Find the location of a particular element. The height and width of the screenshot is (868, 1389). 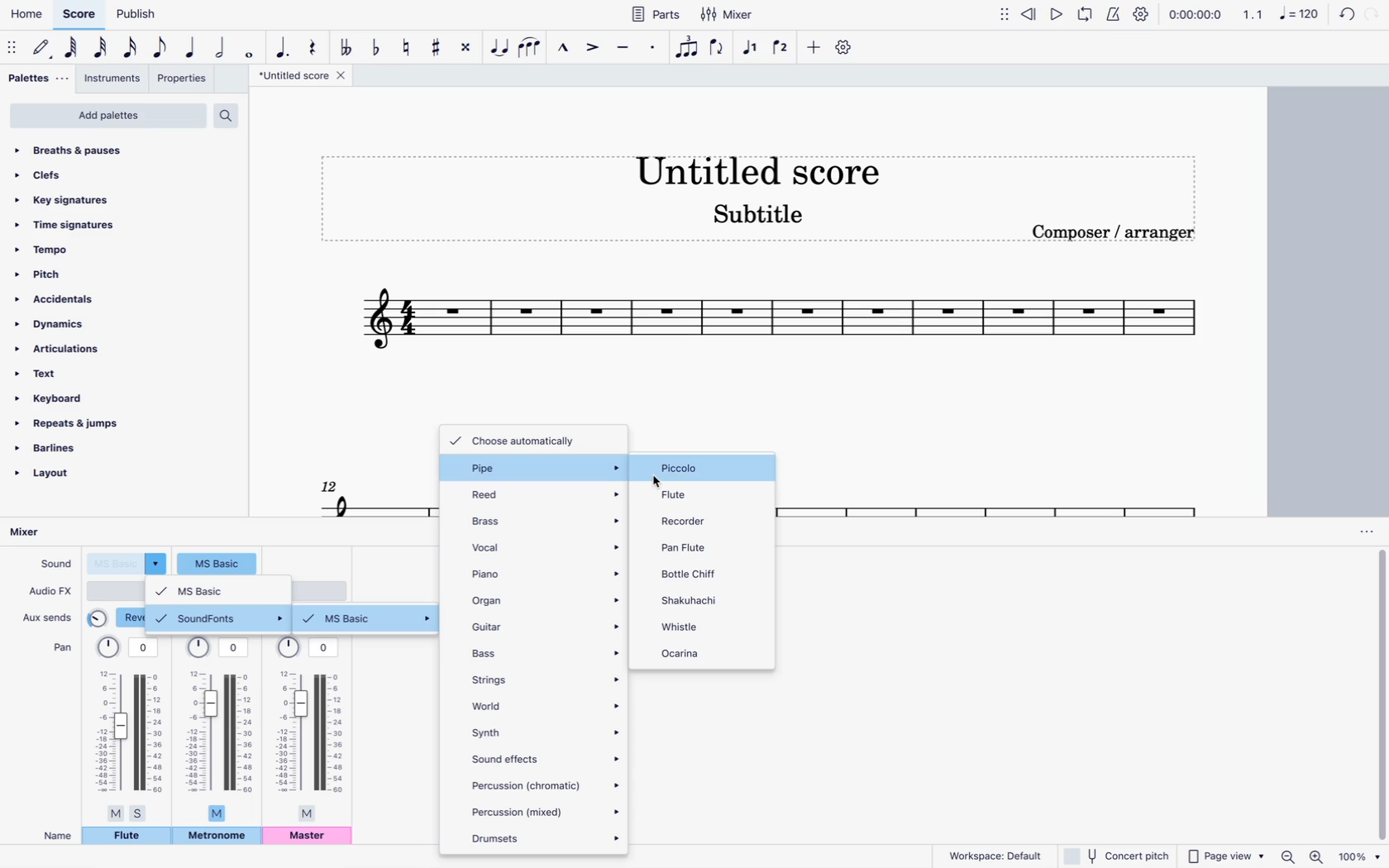

vocal is located at coordinates (546, 545).